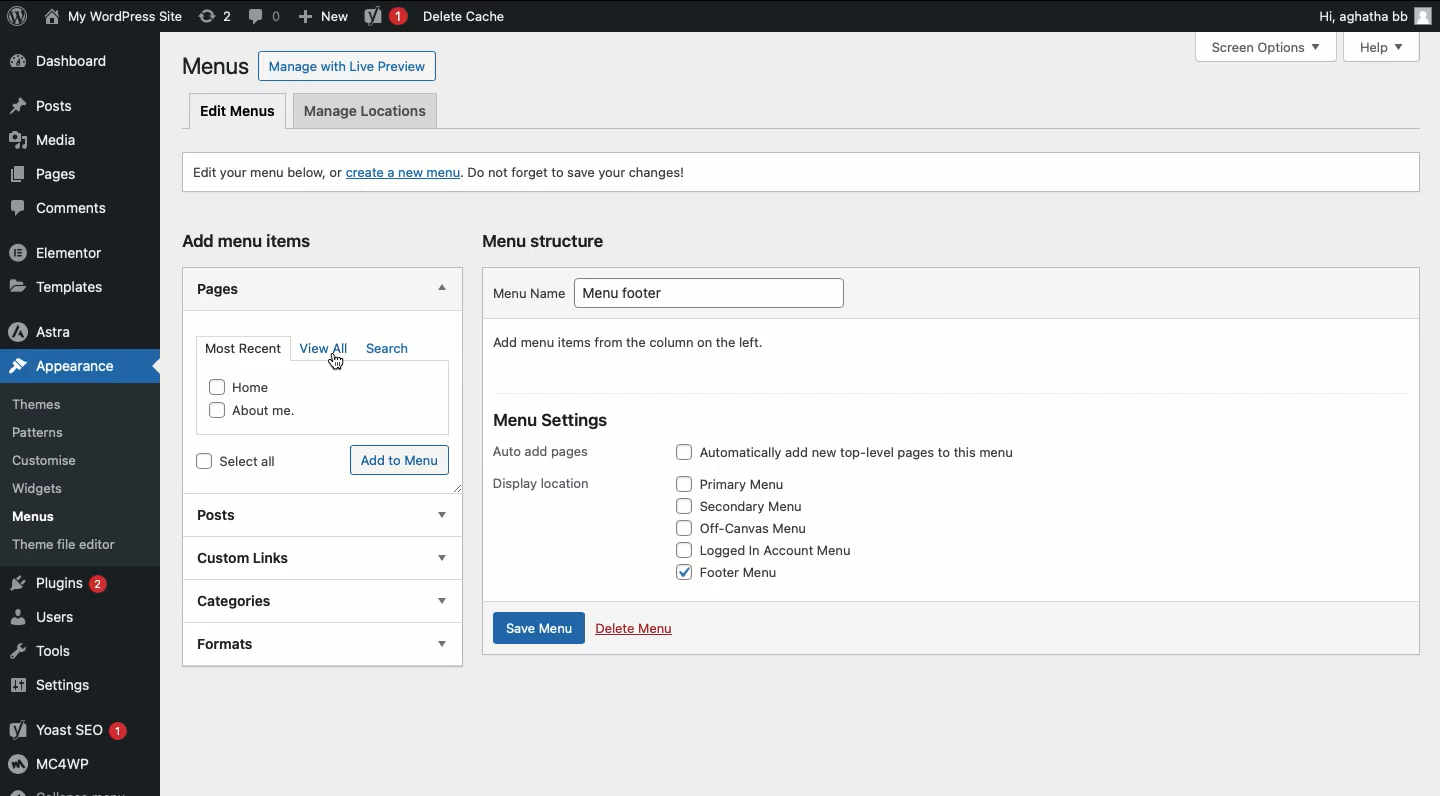 This screenshot has width=1440, height=796. Describe the element at coordinates (212, 66) in the screenshot. I see `Menus` at that location.